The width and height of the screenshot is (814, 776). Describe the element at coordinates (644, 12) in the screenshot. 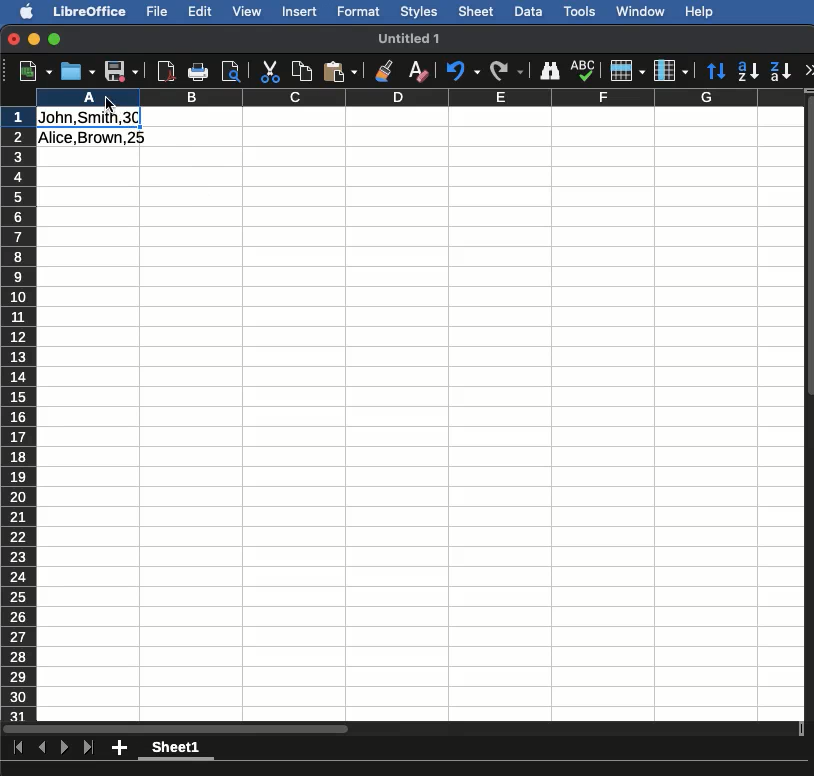

I see `Window` at that location.